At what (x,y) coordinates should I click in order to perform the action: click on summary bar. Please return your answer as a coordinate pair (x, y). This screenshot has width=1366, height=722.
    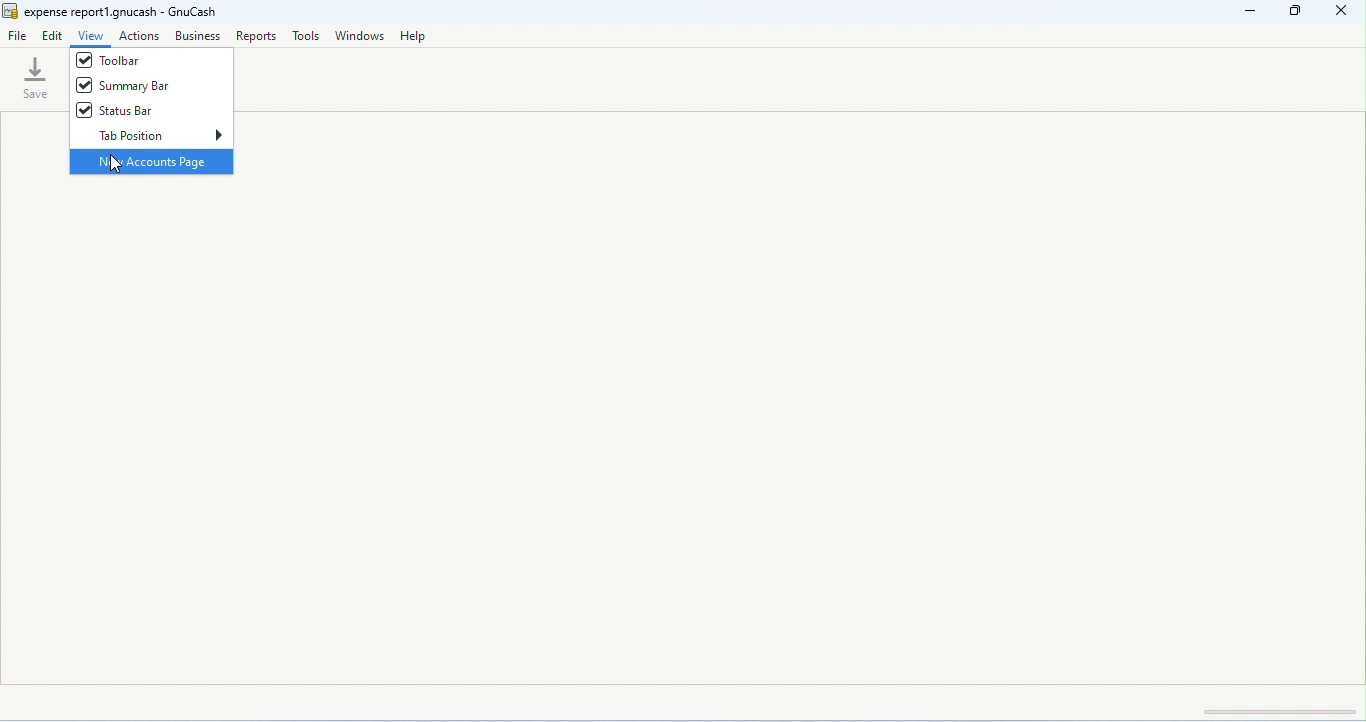
    Looking at the image, I should click on (123, 85).